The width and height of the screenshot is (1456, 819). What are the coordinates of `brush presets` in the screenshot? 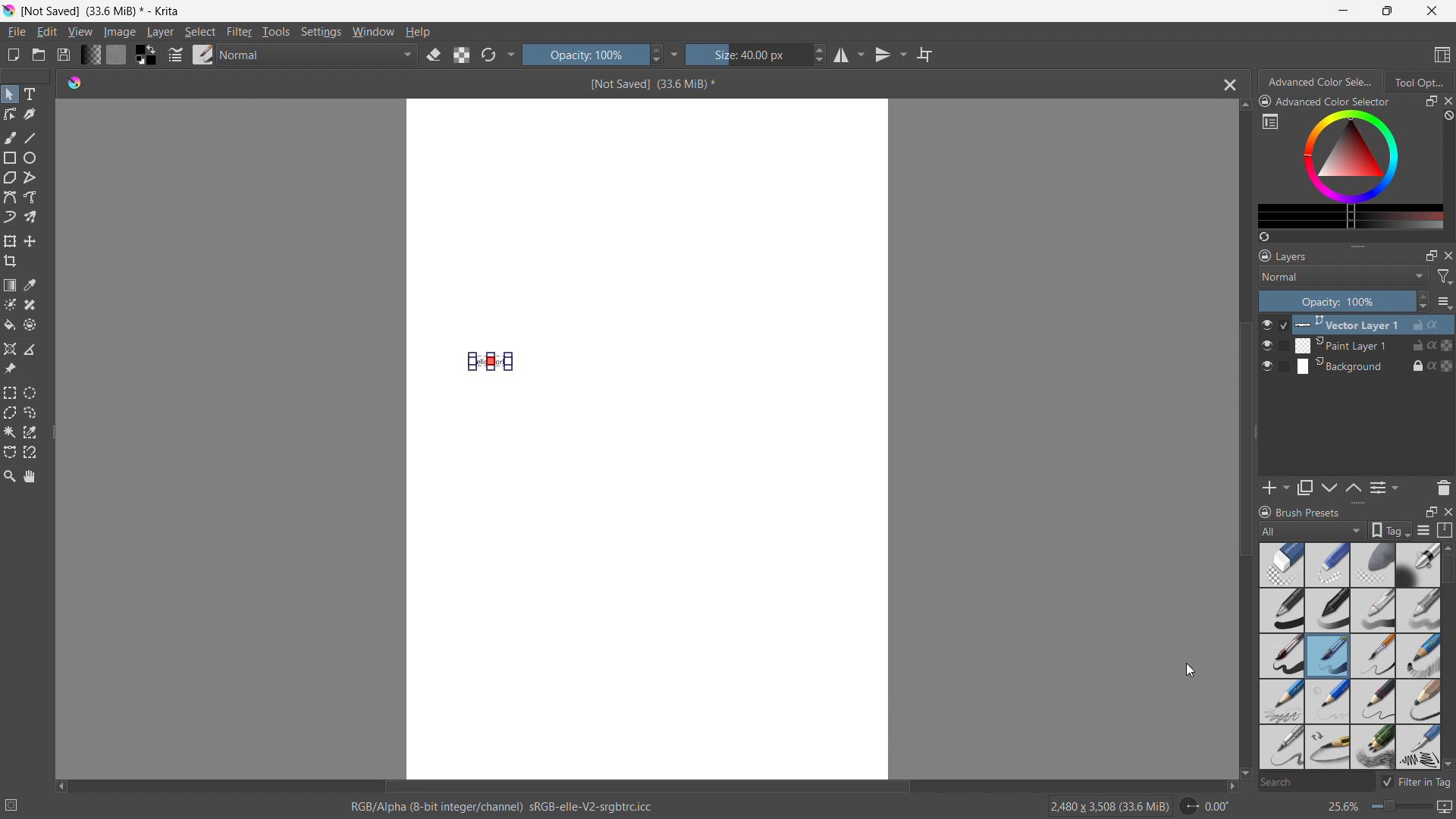 It's located at (1299, 511).